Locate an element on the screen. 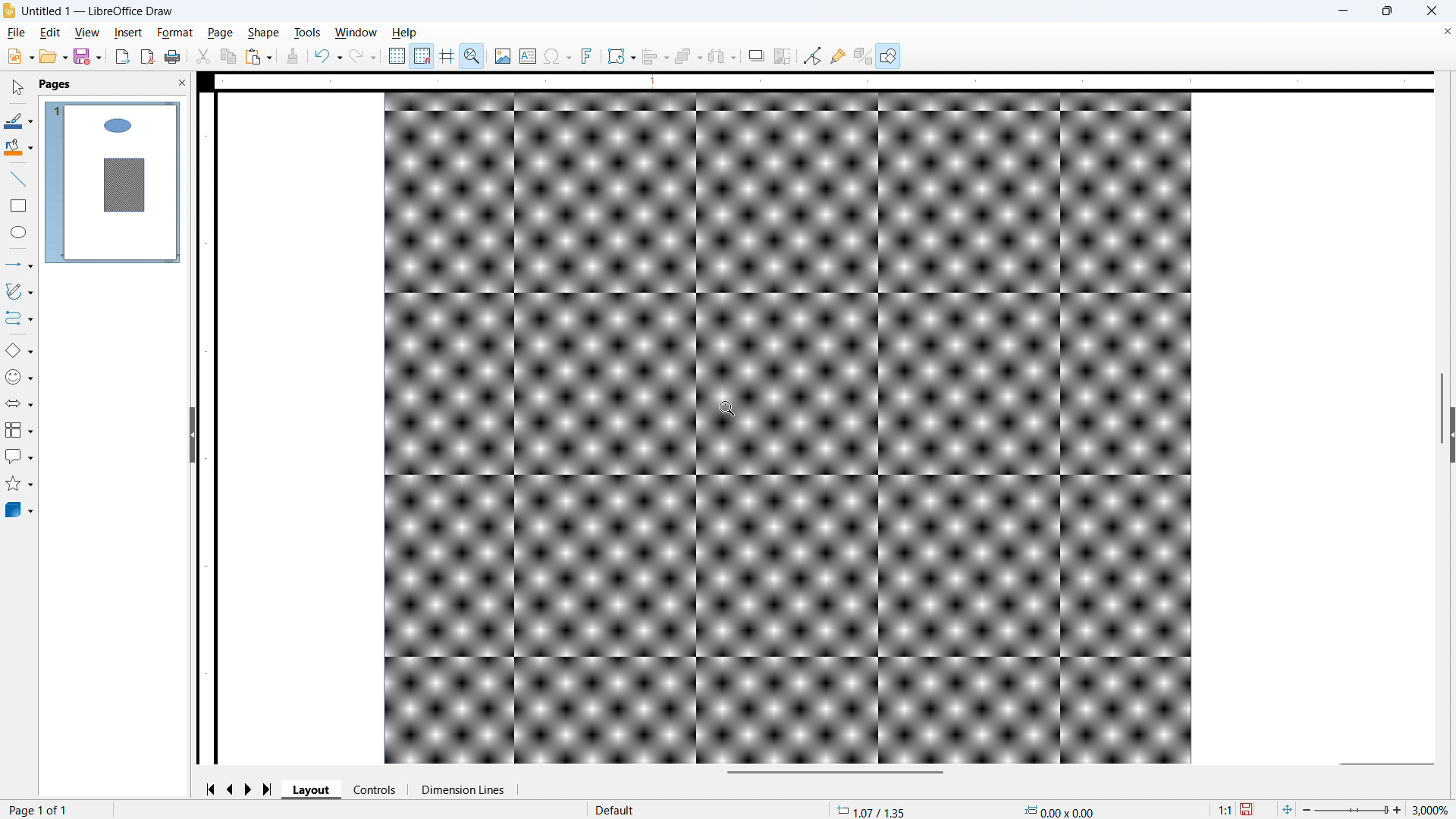 This screenshot has height=819, width=1456. Horizontal ruler  is located at coordinates (824, 81).